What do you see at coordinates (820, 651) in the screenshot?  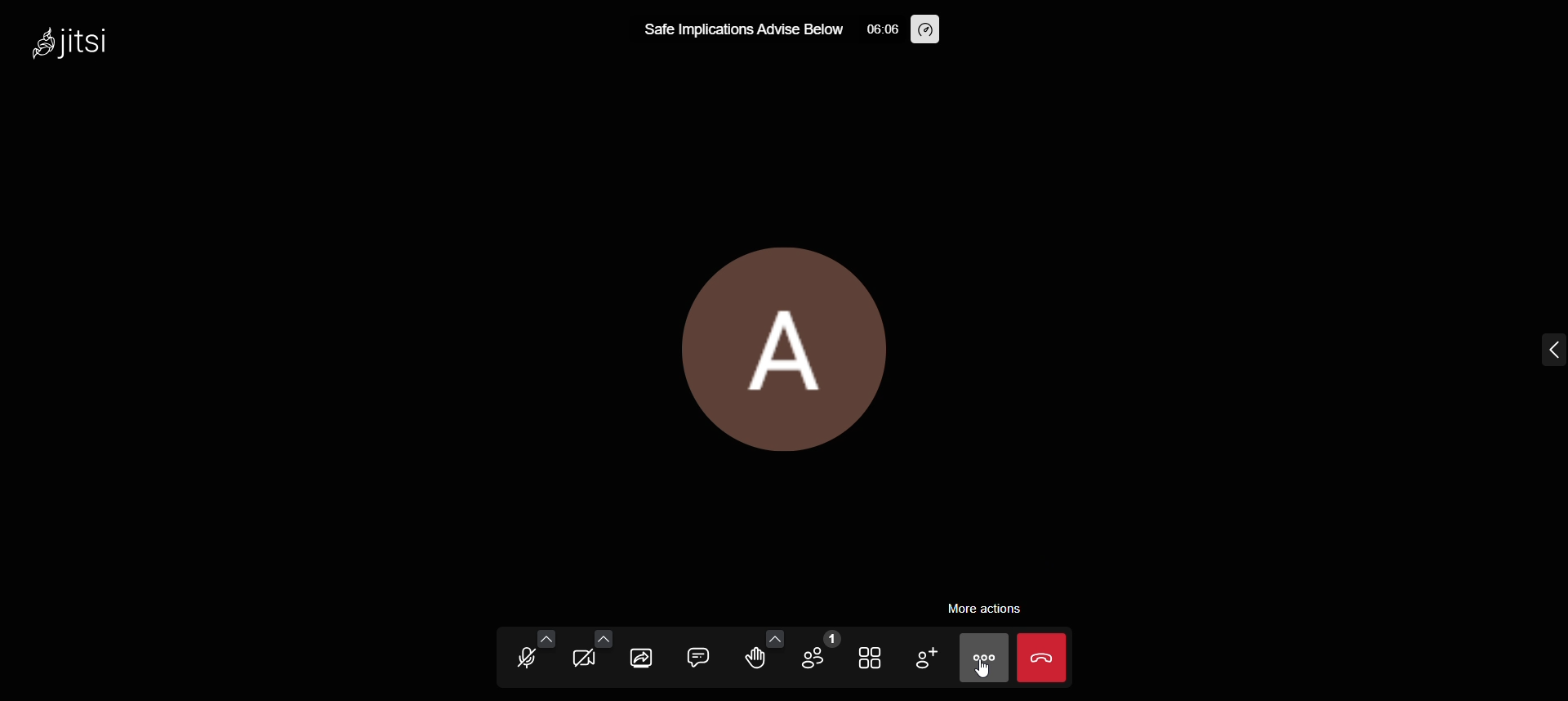 I see `participants` at bounding box center [820, 651].